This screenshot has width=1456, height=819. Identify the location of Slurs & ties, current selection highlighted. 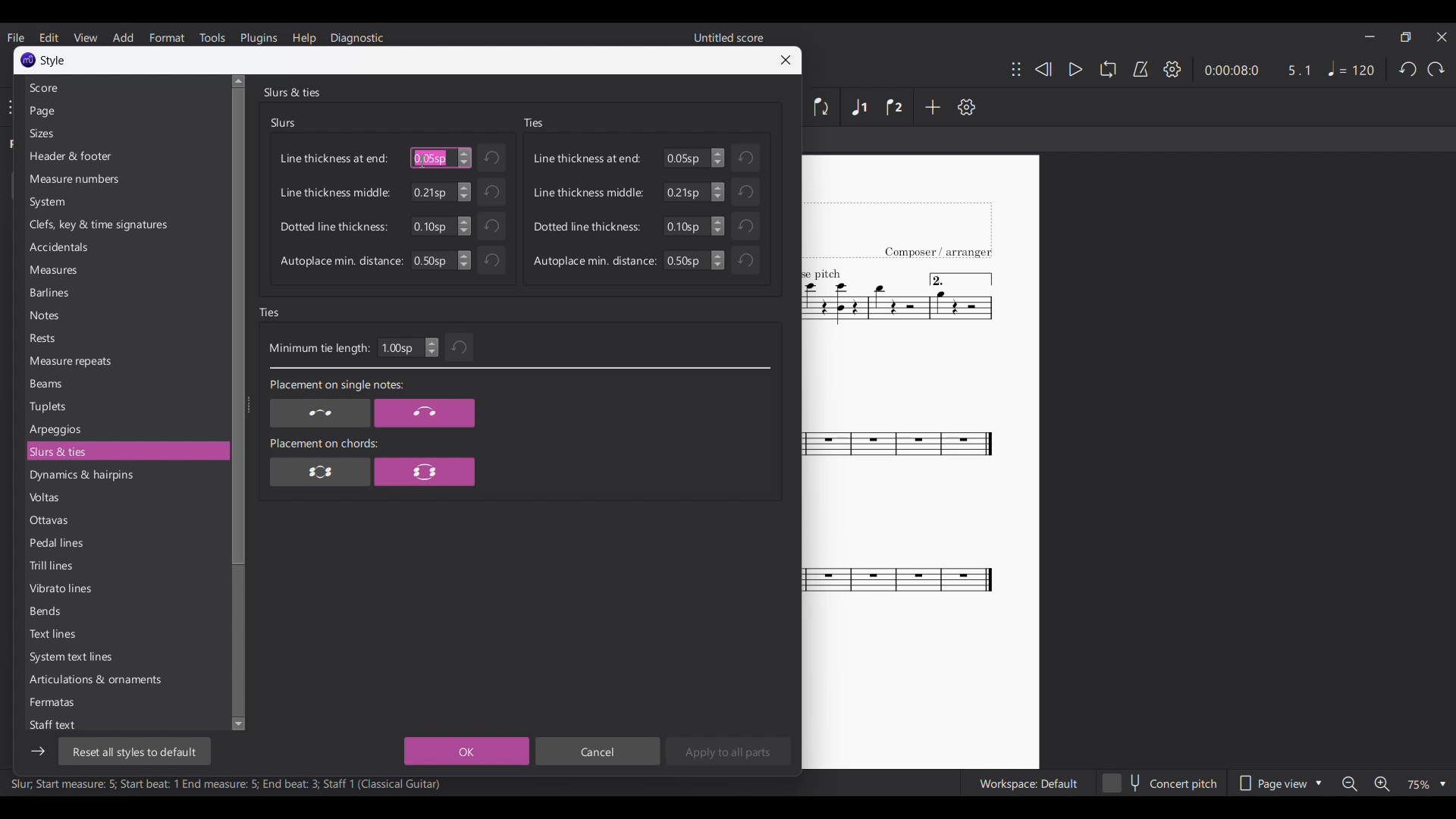
(125, 451).